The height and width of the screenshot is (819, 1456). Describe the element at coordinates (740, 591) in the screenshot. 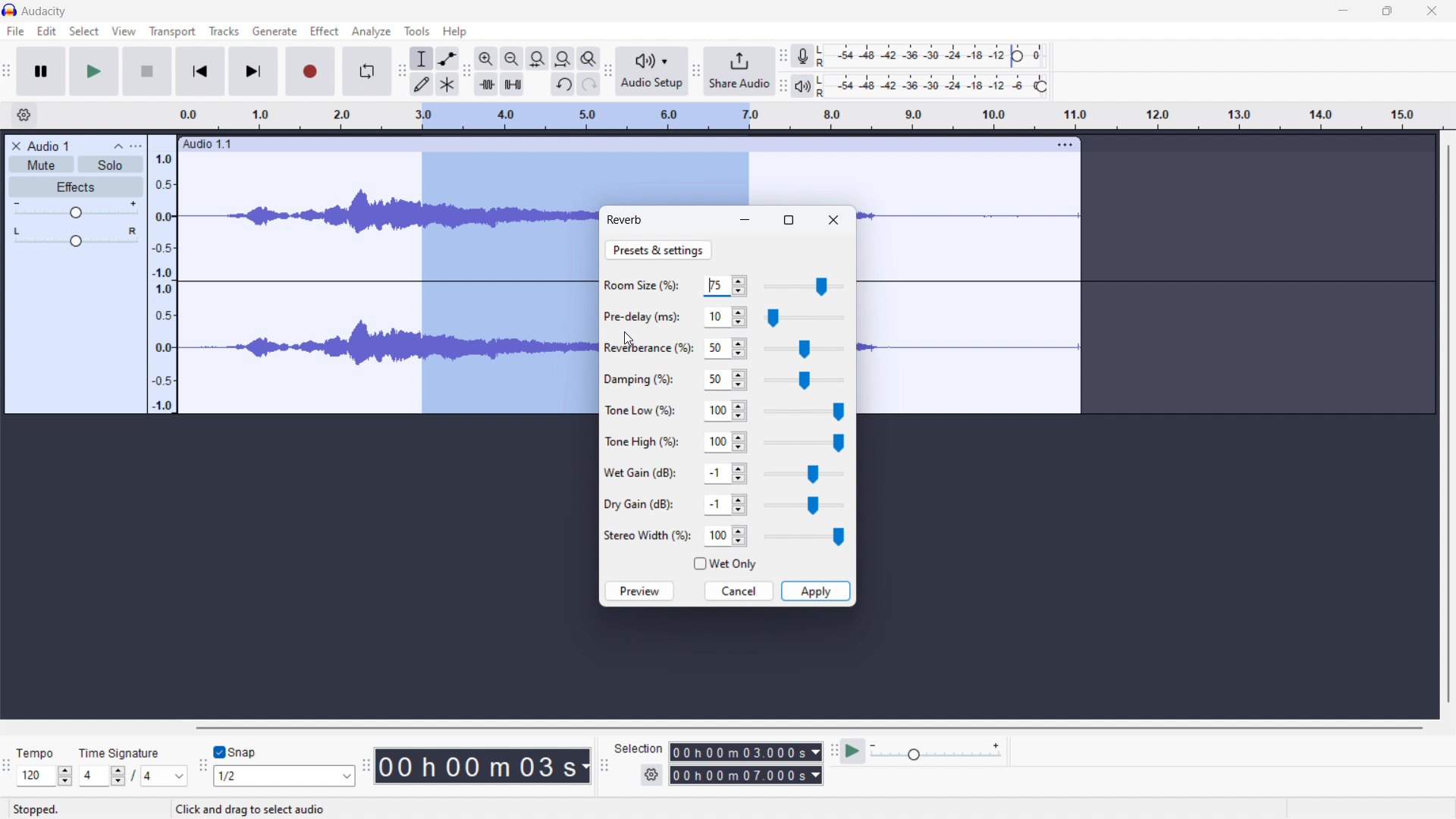

I see `cancel` at that location.